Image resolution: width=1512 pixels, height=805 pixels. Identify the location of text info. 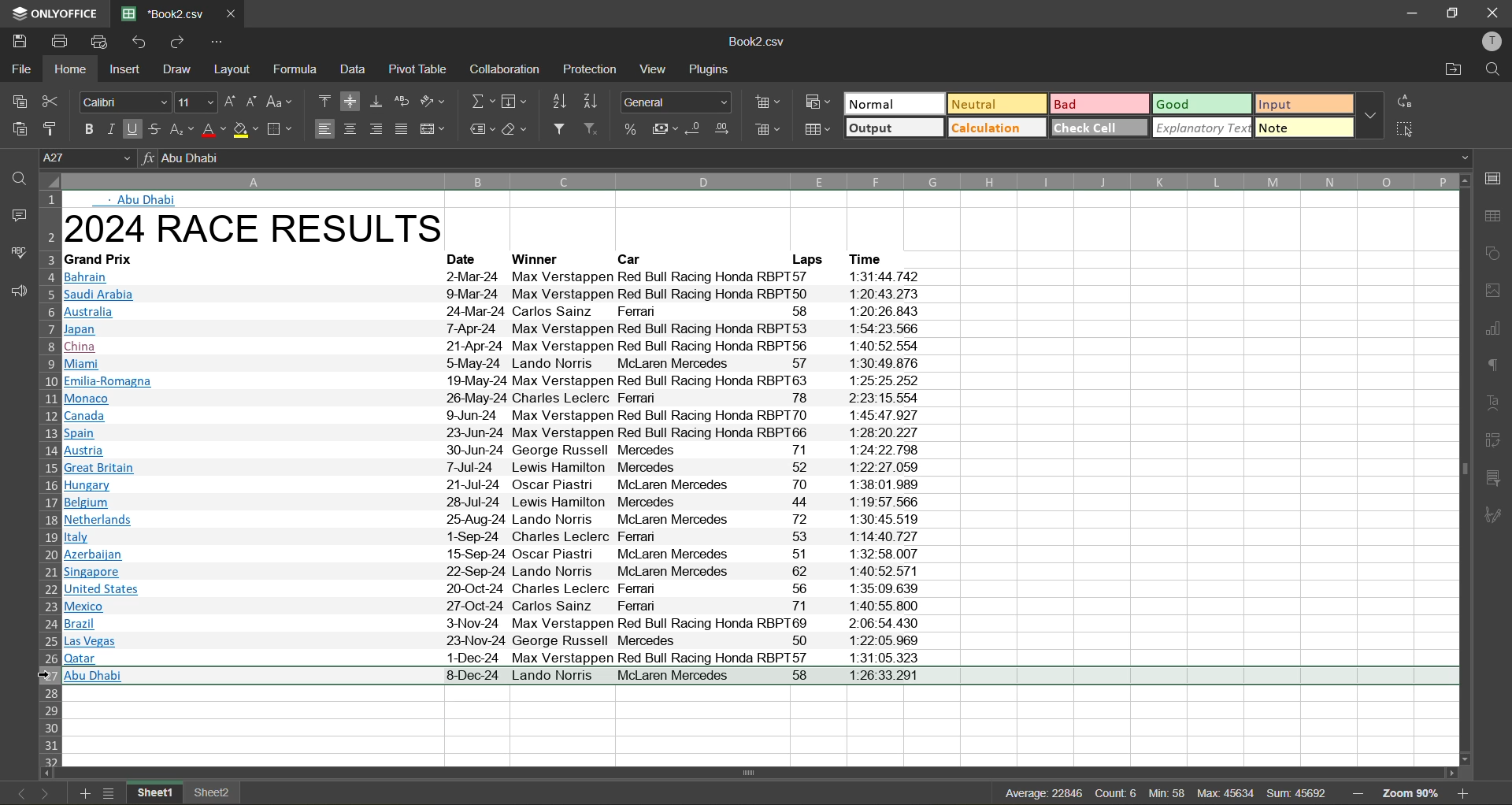
(469, 260).